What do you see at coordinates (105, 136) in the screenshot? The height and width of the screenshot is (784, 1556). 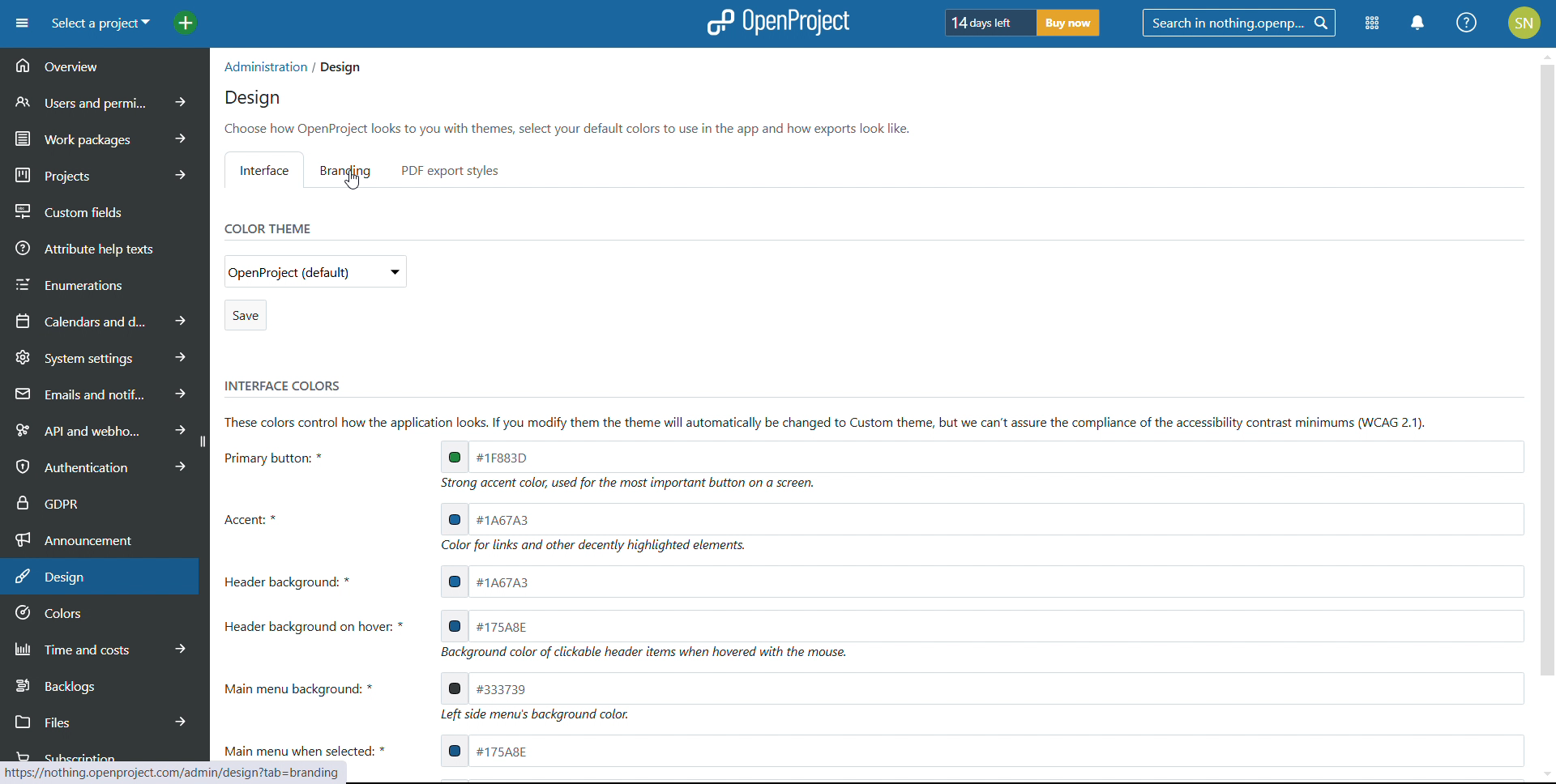 I see `work packages` at bounding box center [105, 136].